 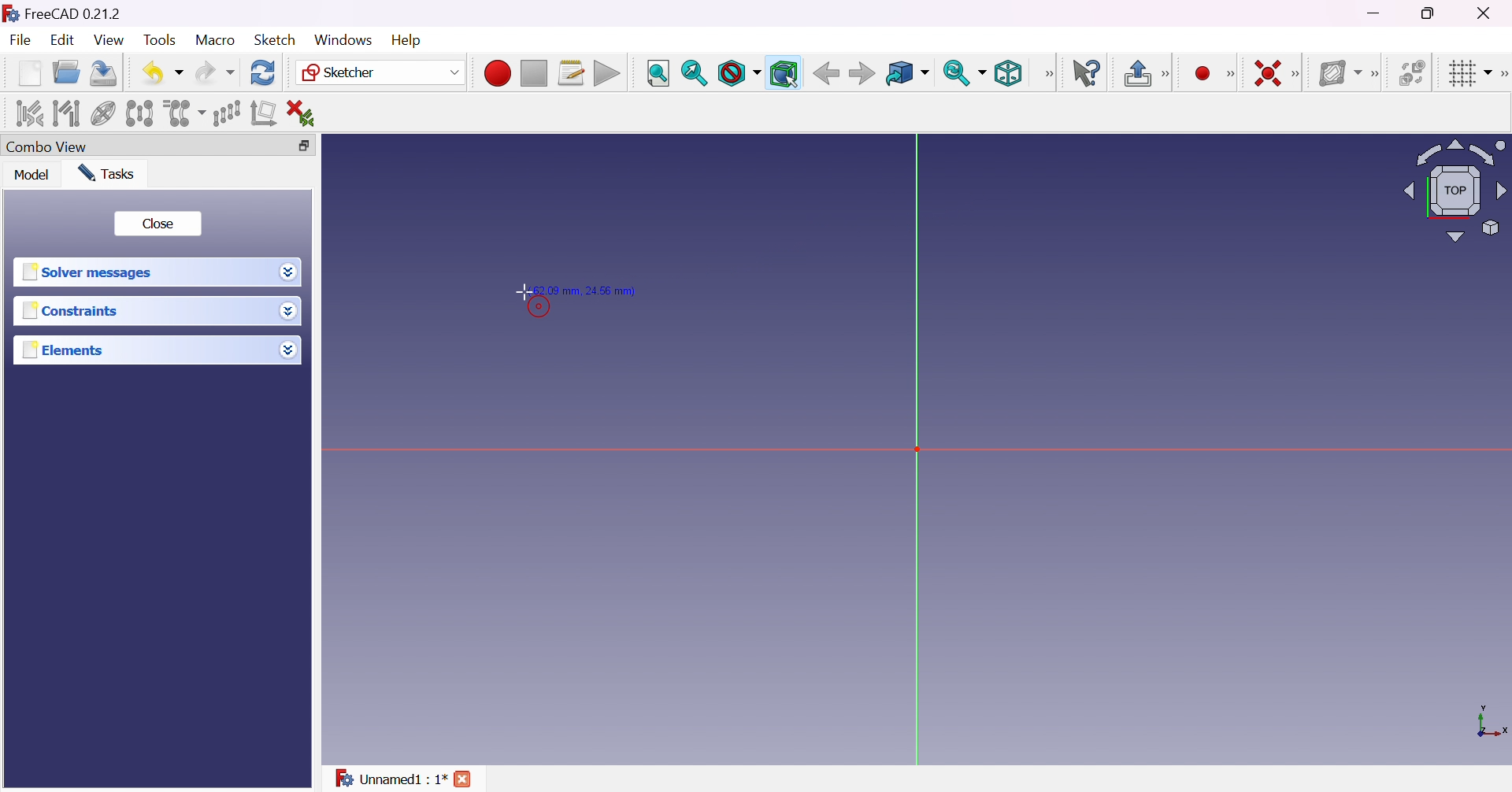 I want to click on Sketch, so click(x=274, y=39).